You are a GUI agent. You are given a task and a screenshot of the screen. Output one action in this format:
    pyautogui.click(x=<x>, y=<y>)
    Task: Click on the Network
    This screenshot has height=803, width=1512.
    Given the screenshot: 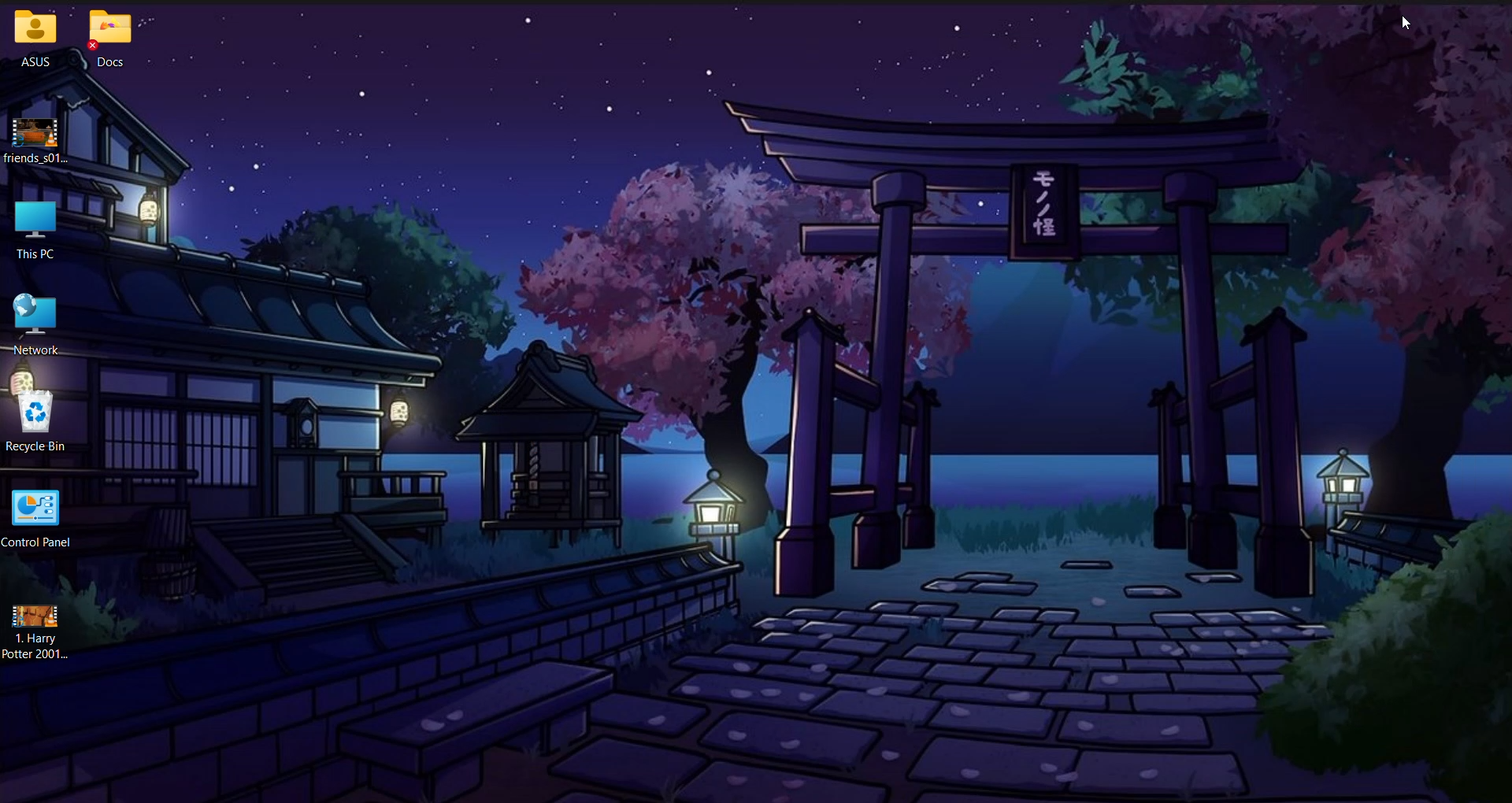 What is the action you would take?
    pyautogui.click(x=35, y=324)
    